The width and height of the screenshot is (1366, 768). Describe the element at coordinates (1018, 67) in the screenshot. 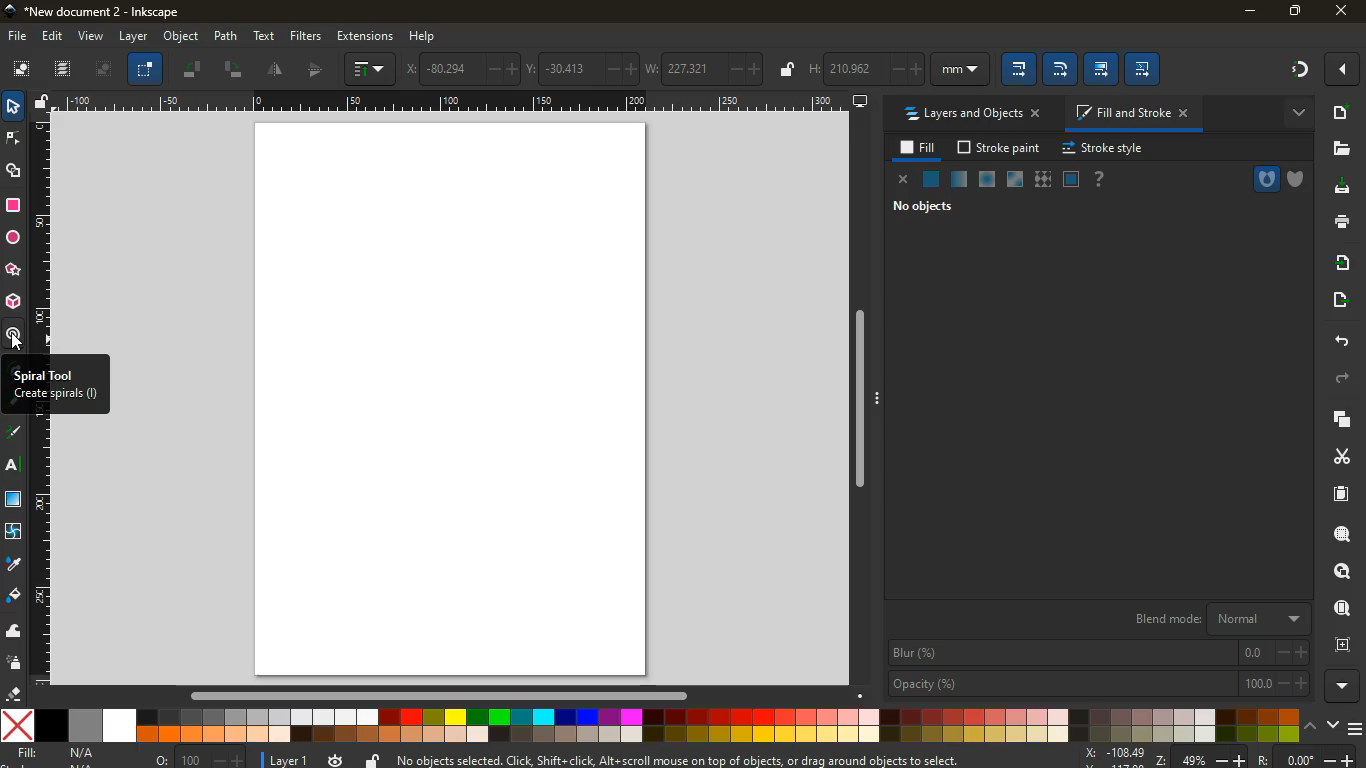

I see `edit` at that location.